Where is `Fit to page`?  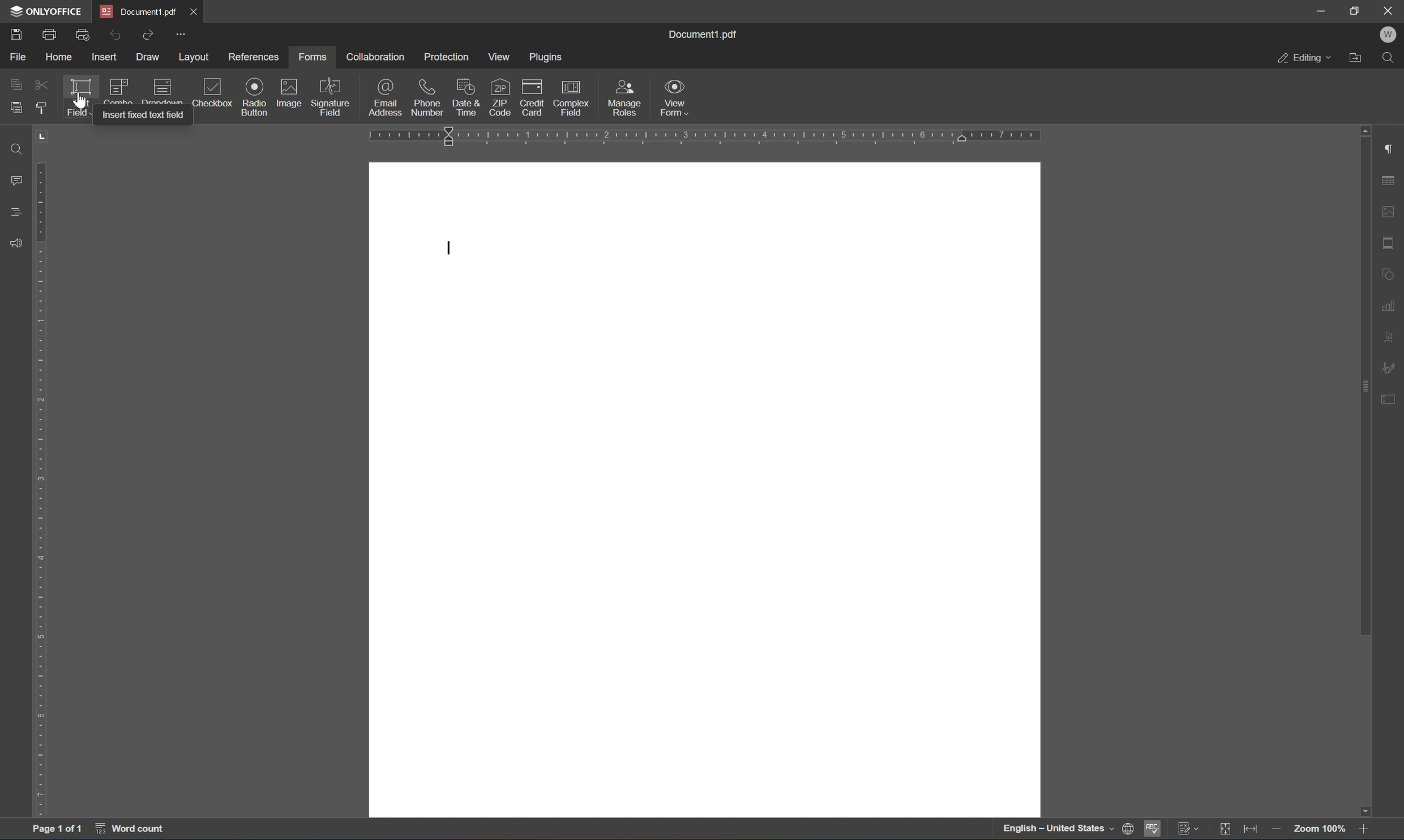
Fit to page is located at coordinates (1252, 830).